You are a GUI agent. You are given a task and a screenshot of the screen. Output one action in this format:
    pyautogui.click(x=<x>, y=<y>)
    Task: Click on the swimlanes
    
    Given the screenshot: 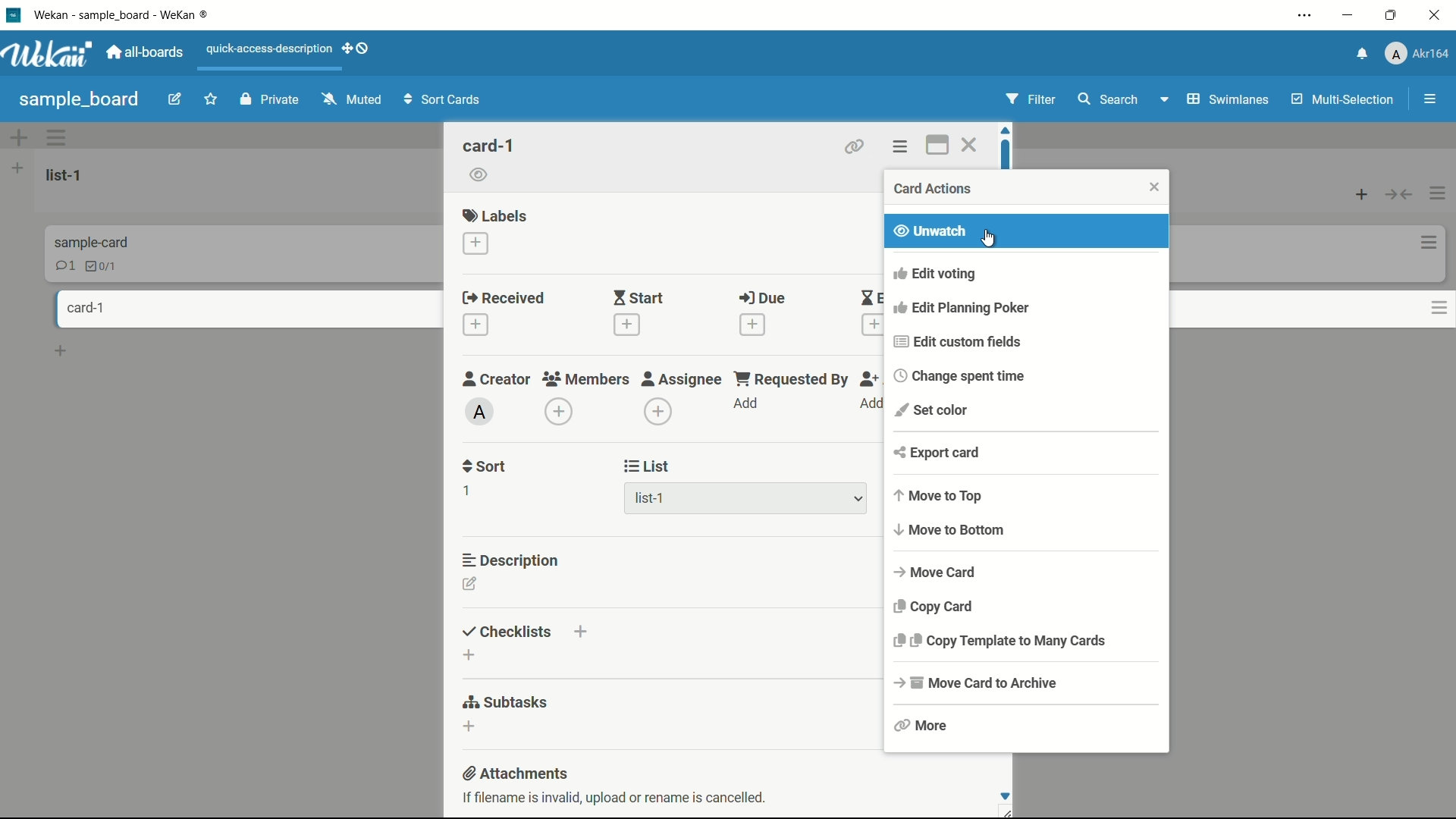 What is the action you would take?
    pyautogui.click(x=1213, y=99)
    